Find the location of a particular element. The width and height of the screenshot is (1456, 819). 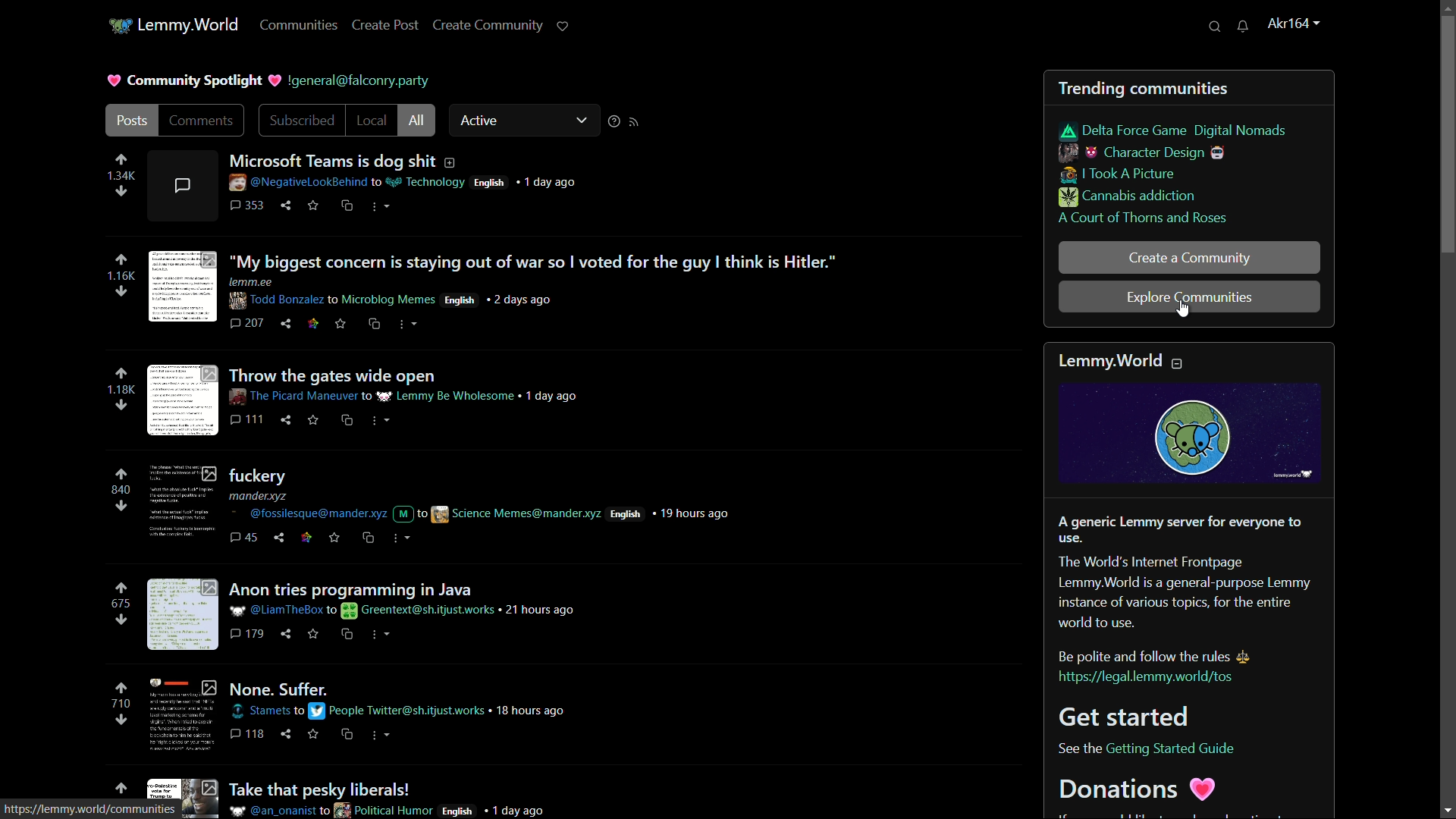

post-5 is located at coordinates (349, 588).